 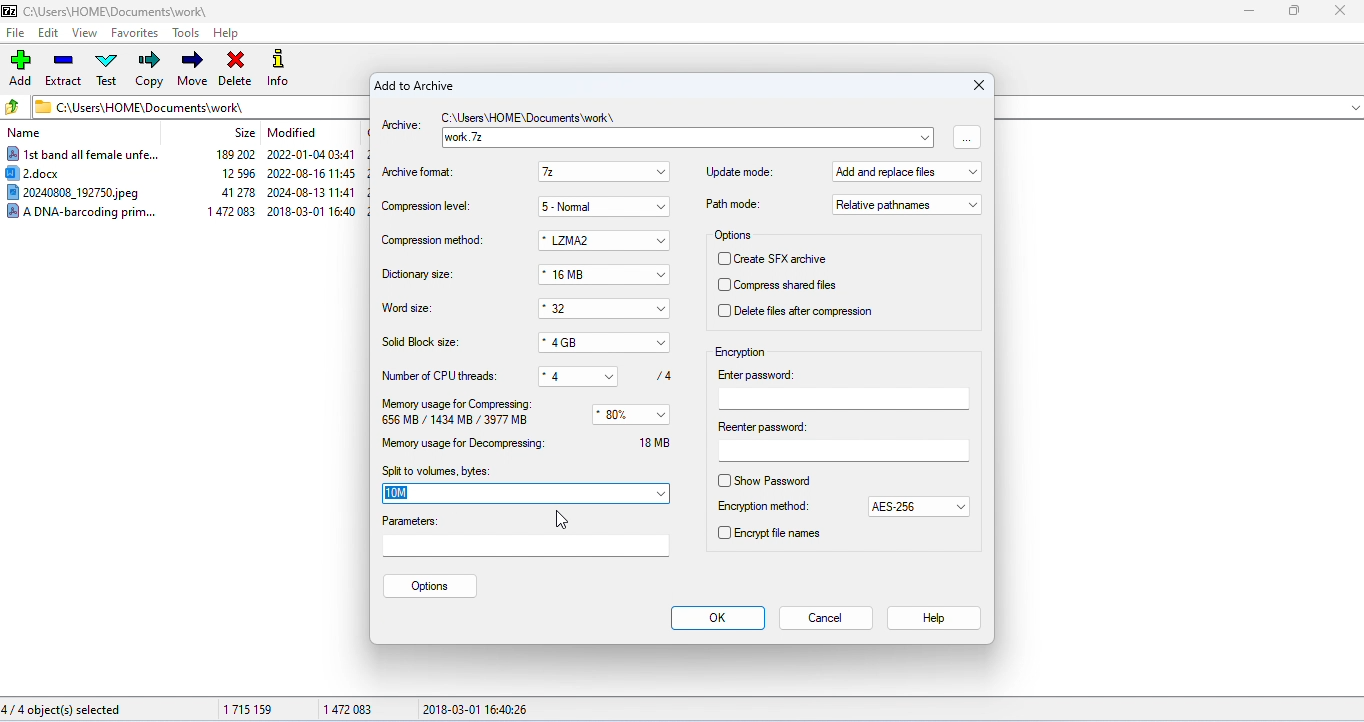 What do you see at coordinates (244, 133) in the screenshot?
I see `size` at bounding box center [244, 133].